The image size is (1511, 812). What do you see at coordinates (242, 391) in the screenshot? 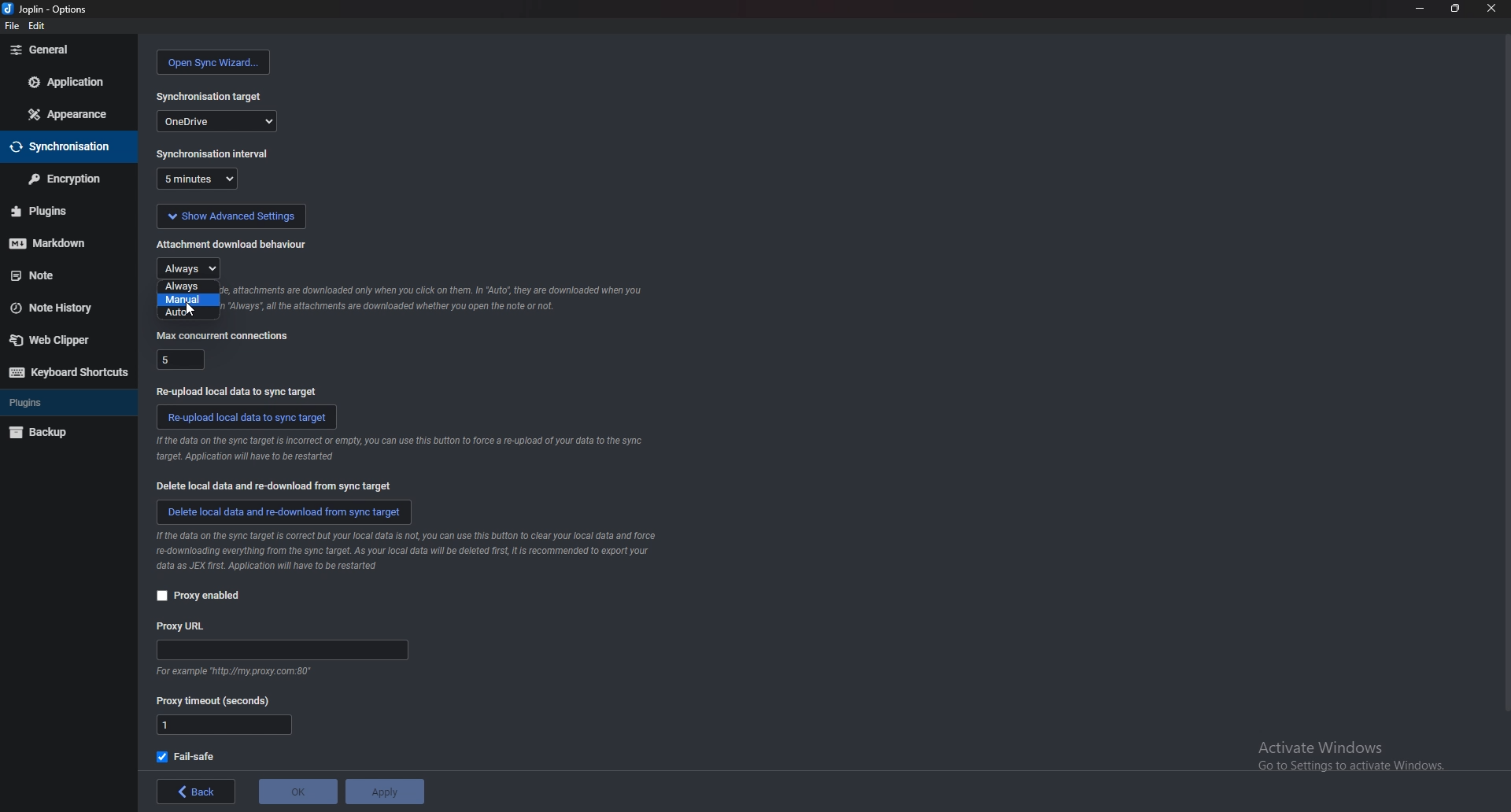
I see `re upload local data to sync target` at bounding box center [242, 391].